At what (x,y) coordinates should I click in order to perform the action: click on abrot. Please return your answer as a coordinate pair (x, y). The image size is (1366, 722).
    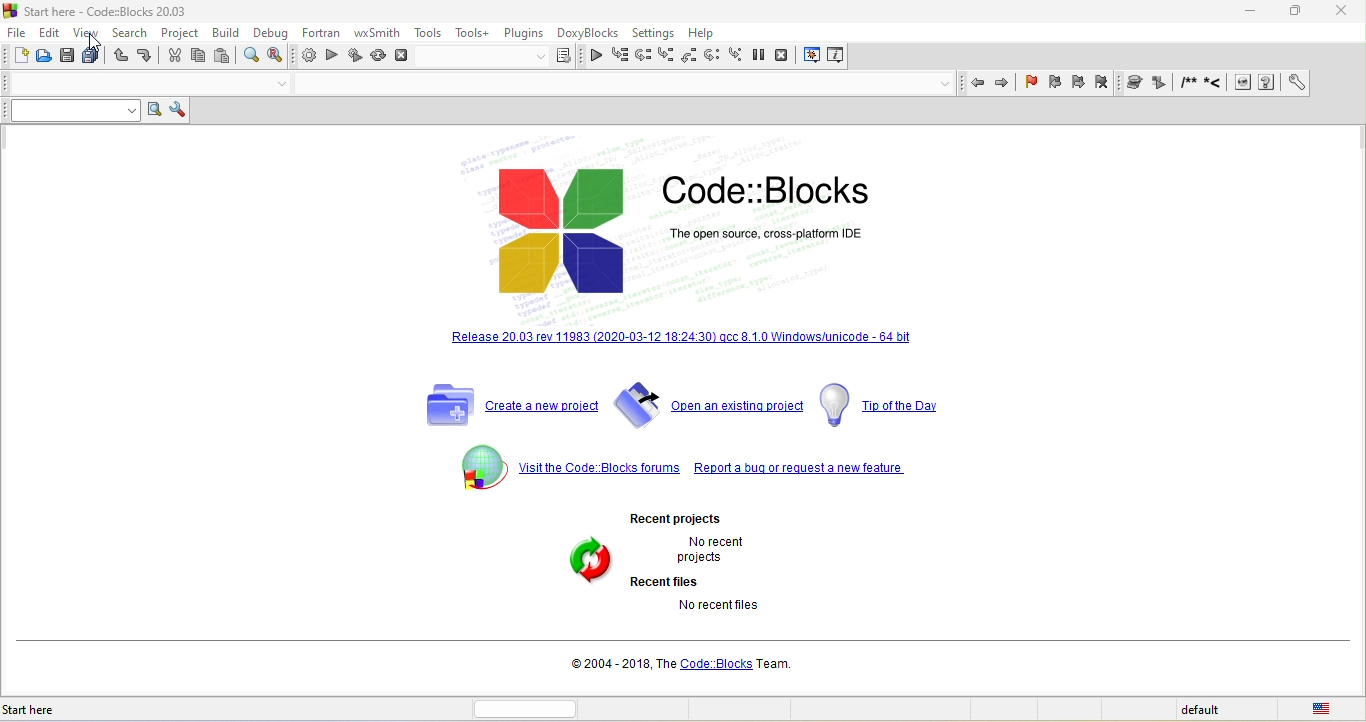
    Looking at the image, I should click on (405, 59).